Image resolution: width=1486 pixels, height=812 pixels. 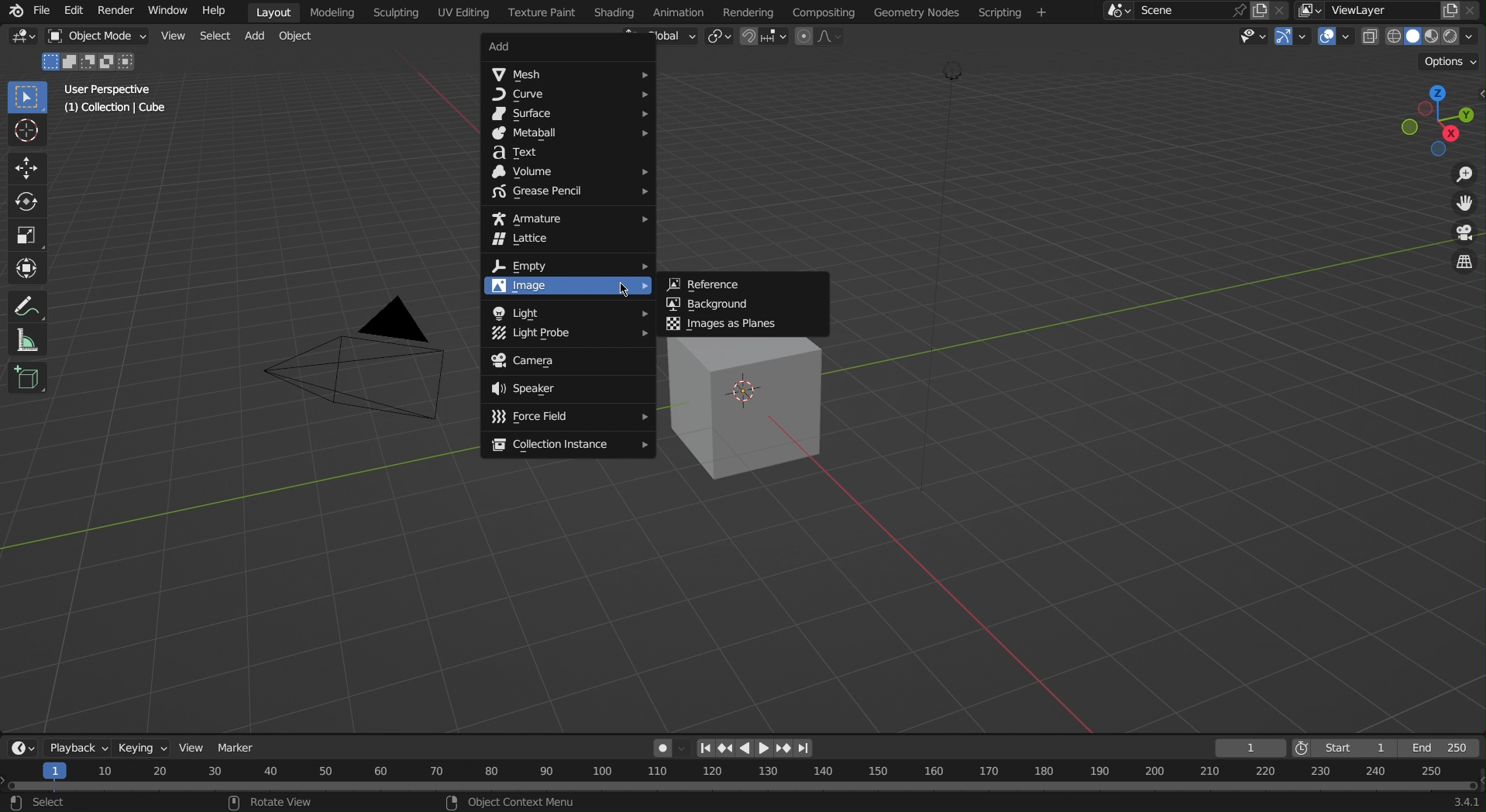 I want to click on Object Mode, so click(x=98, y=37).